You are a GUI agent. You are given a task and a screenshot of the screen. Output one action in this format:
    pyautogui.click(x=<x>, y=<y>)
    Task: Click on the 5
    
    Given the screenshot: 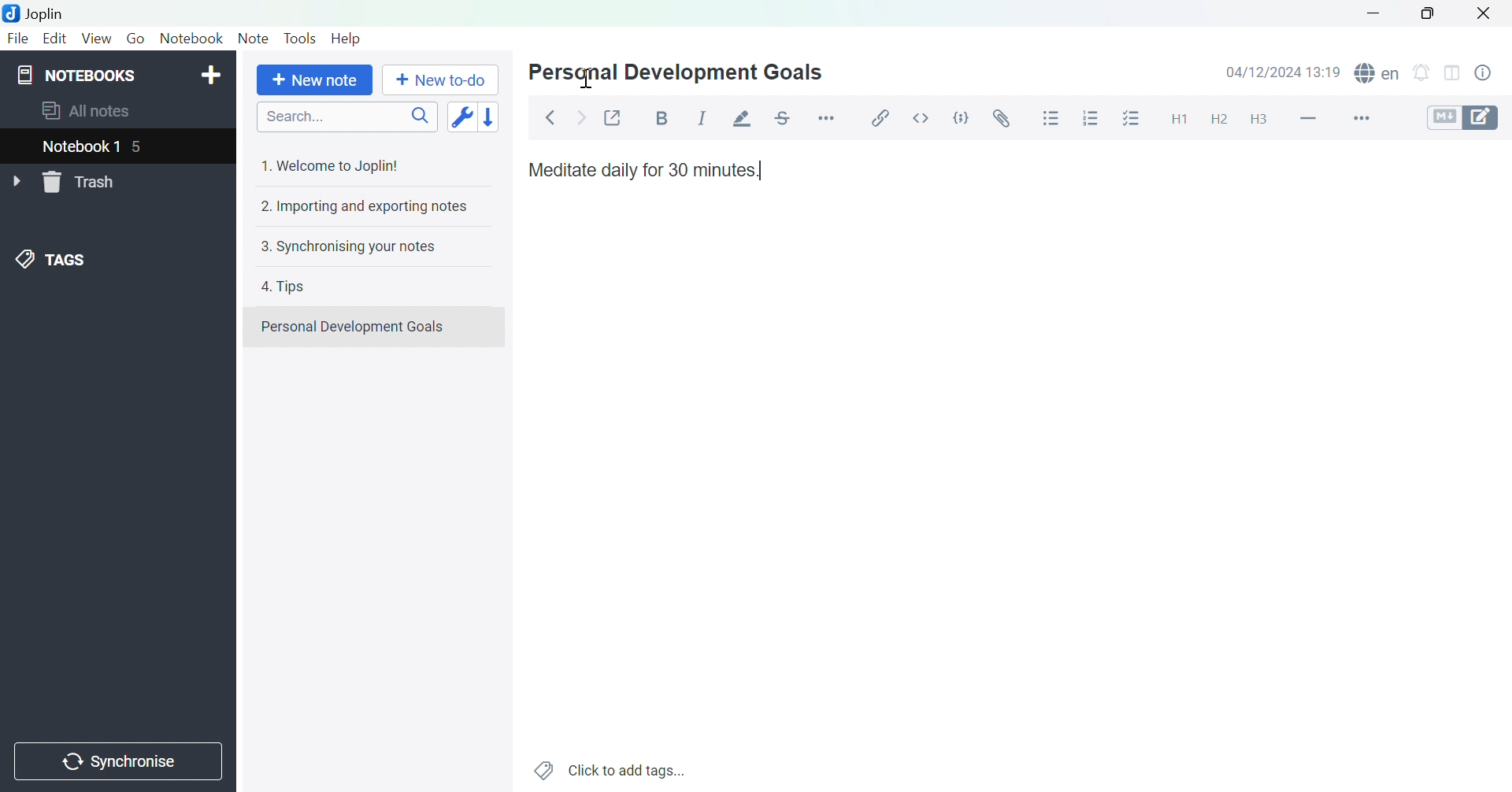 What is the action you would take?
    pyautogui.click(x=144, y=146)
    